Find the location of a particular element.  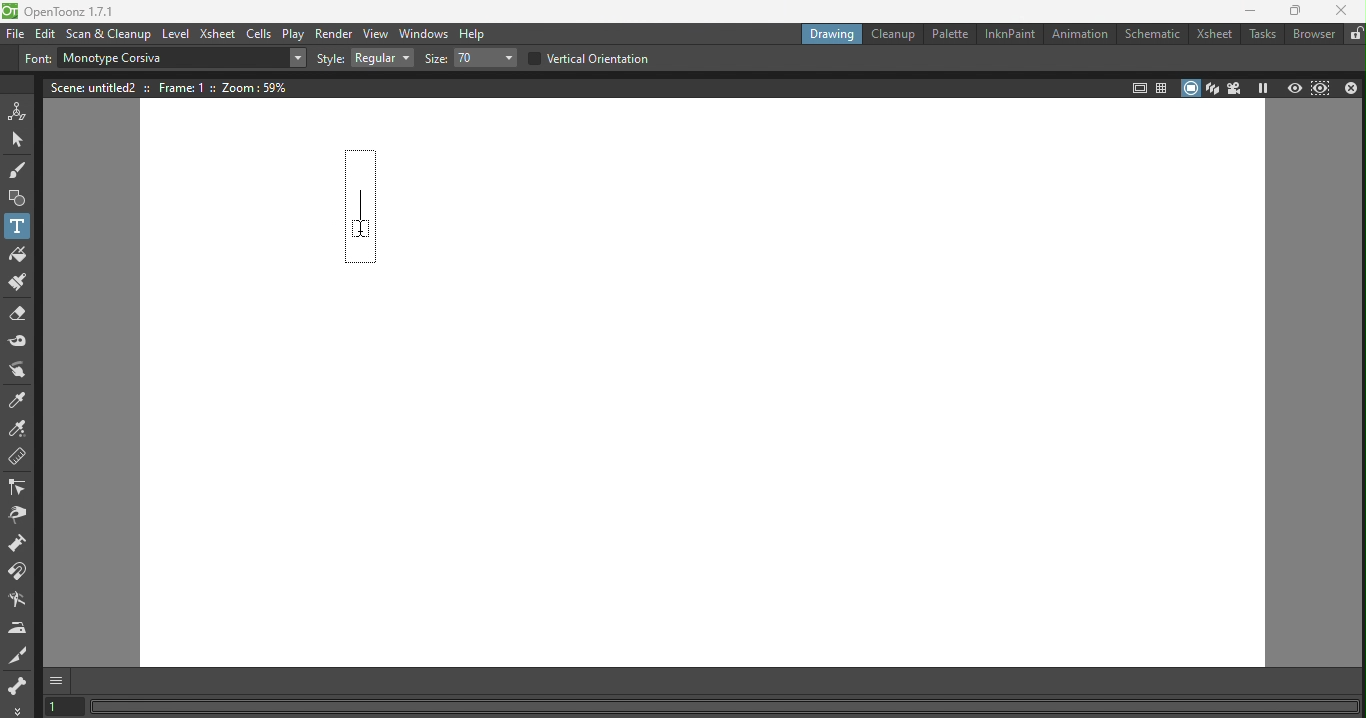

Field guide is located at coordinates (1160, 87).